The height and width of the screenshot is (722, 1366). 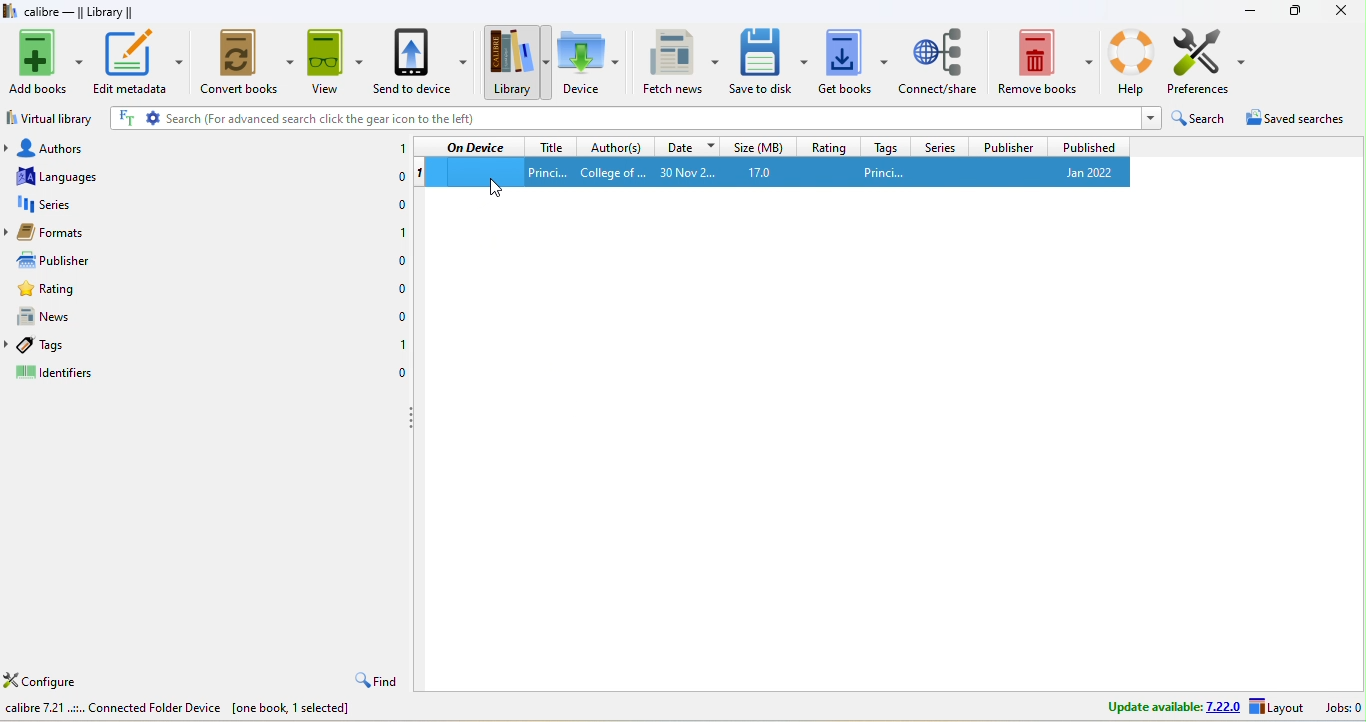 What do you see at coordinates (400, 262) in the screenshot?
I see `0` at bounding box center [400, 262].